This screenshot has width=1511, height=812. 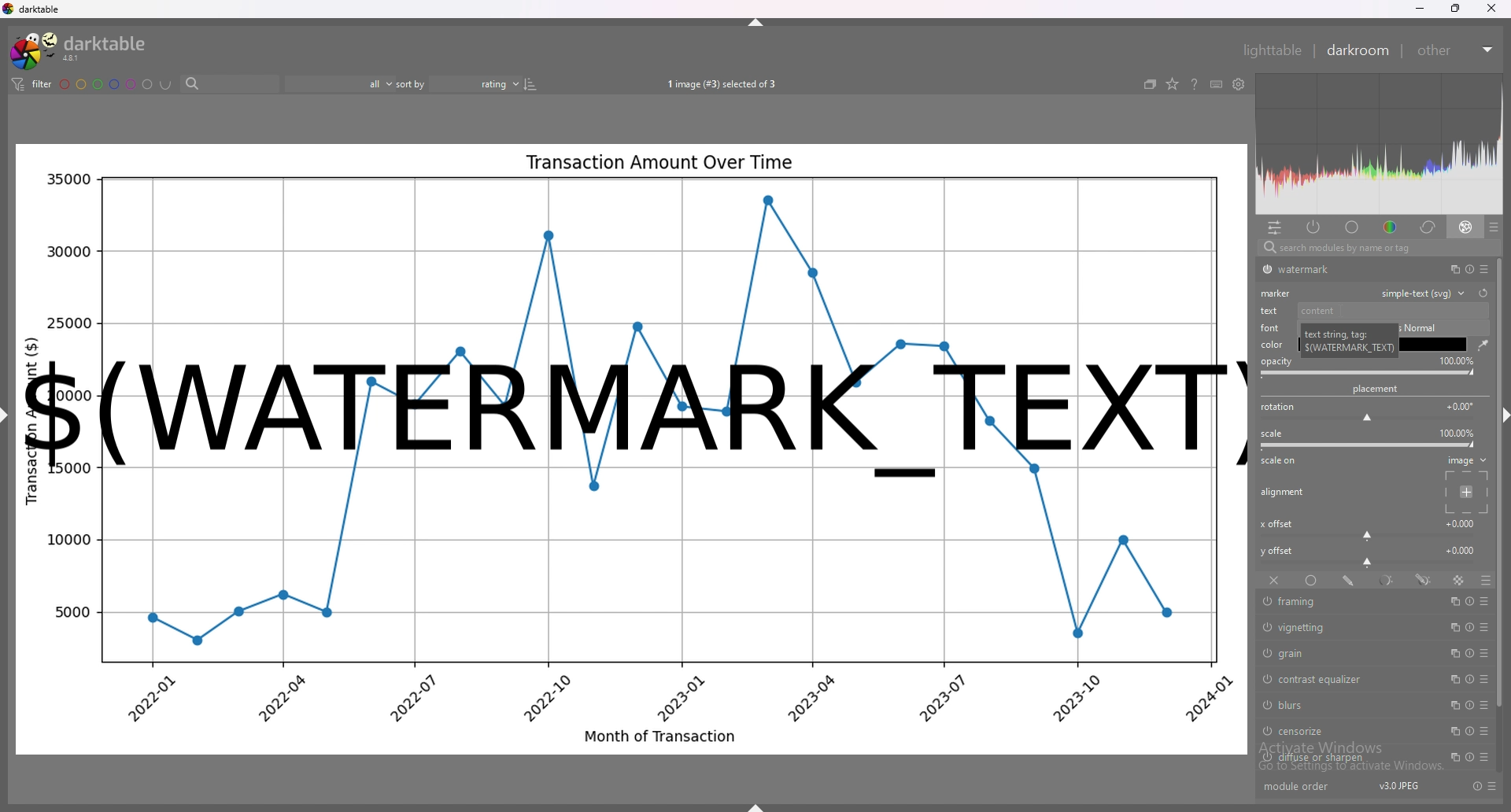 I want to click on text, so click(x=1272, y=311).